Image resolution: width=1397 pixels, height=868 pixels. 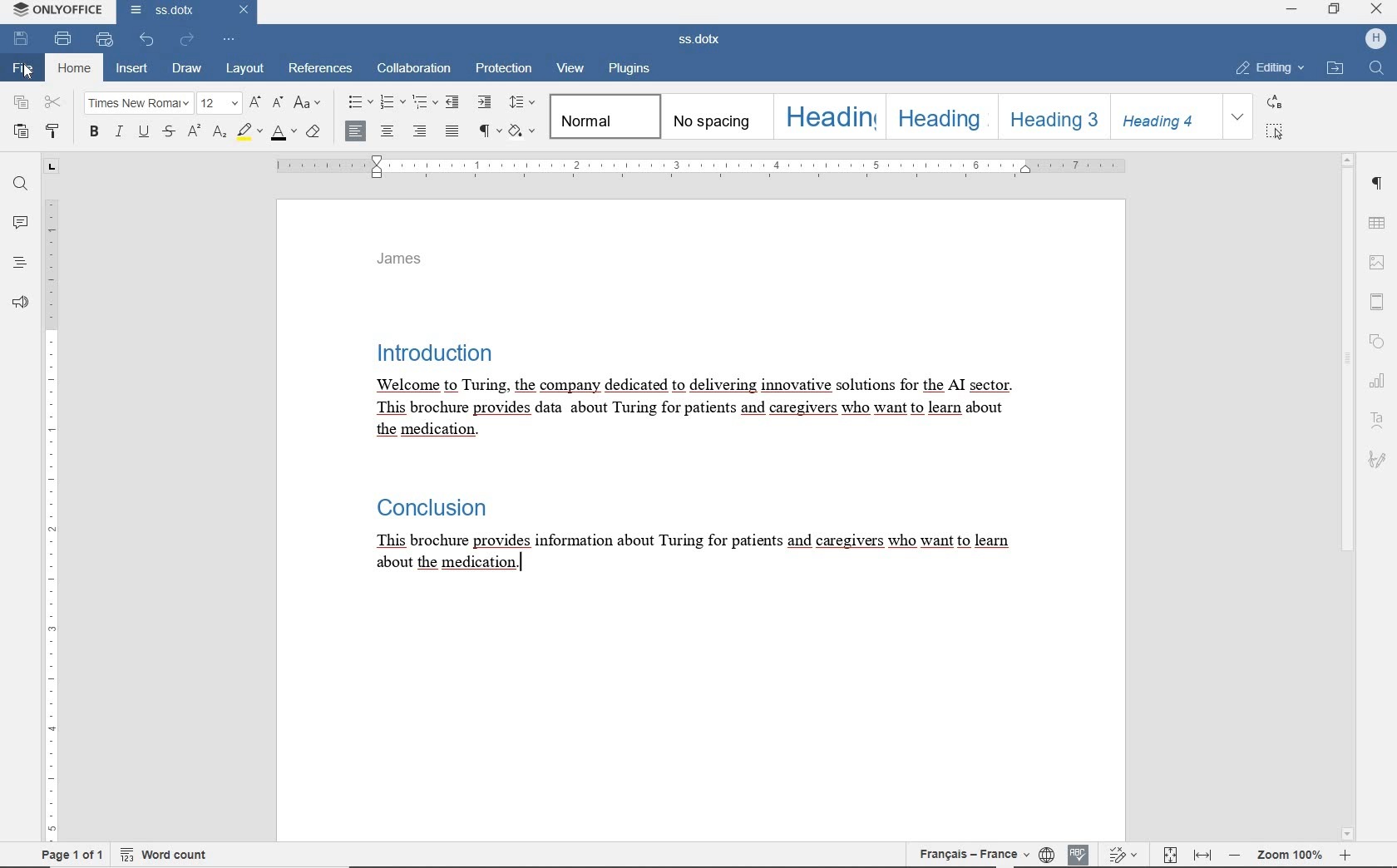 What do you see at coordinates (408, 262) in the screenshot?
I see `HEADER TEXT` at bounding box center [408, 262].